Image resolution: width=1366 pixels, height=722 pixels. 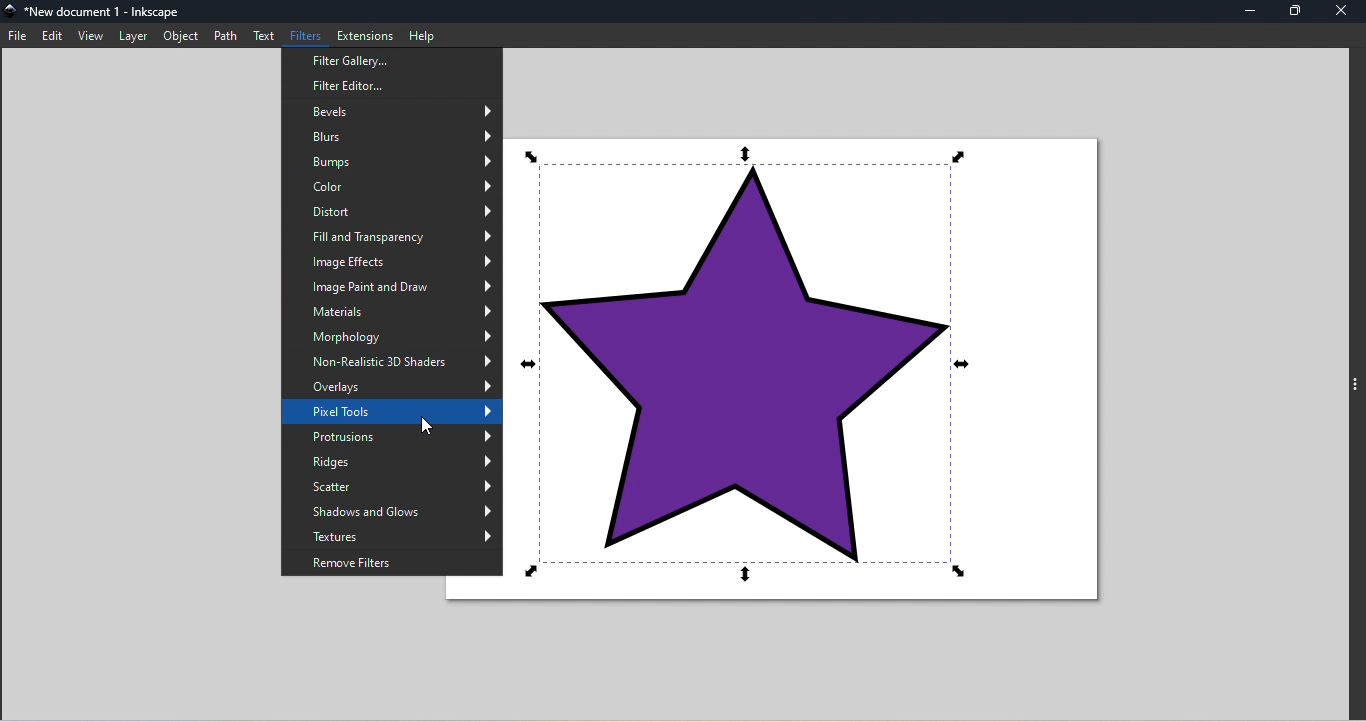 I want to click on Morphology, so click(x=392, y=337).